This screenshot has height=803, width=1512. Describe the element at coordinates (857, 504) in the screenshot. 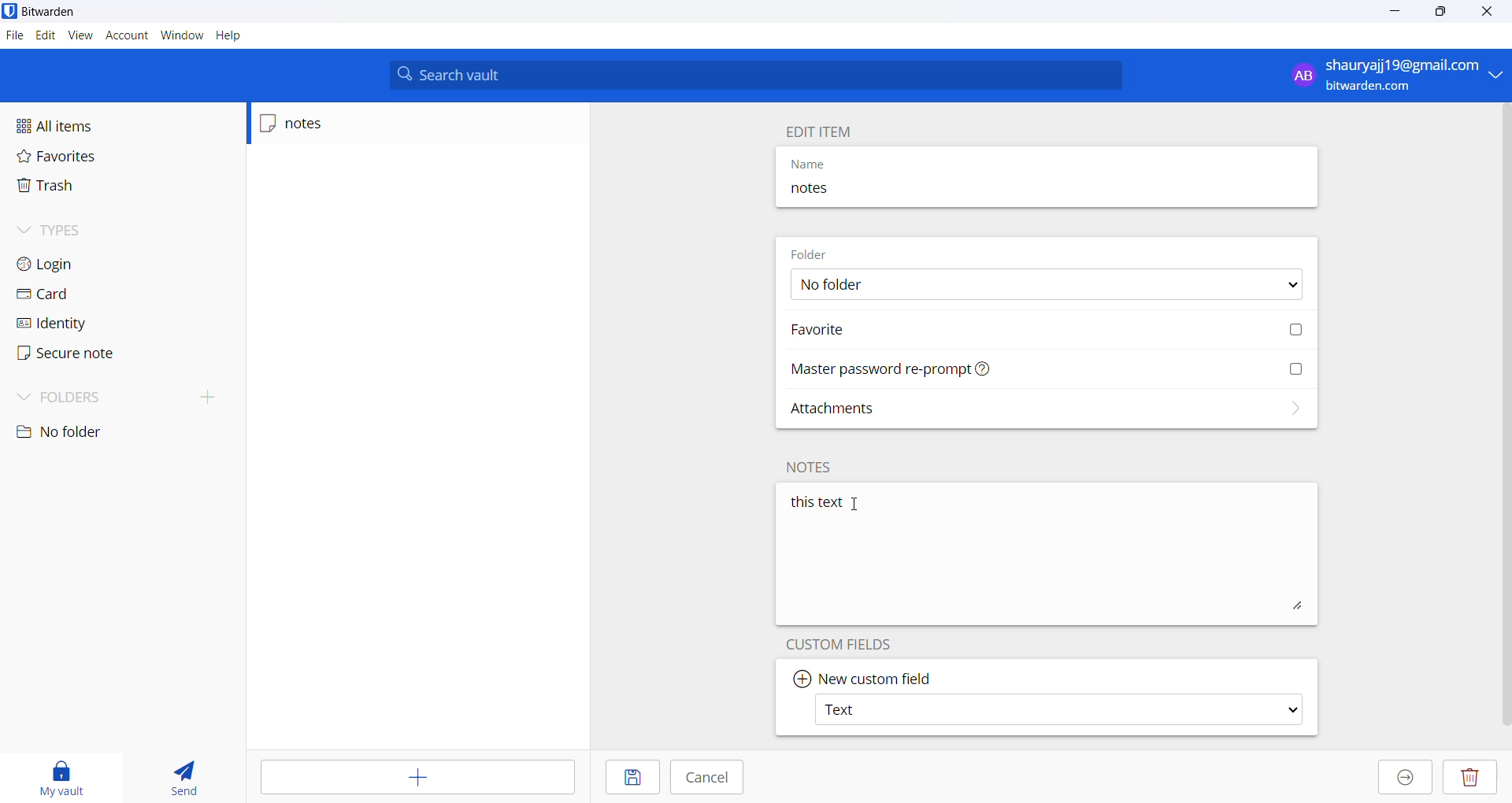

I see `cursor` at that location.